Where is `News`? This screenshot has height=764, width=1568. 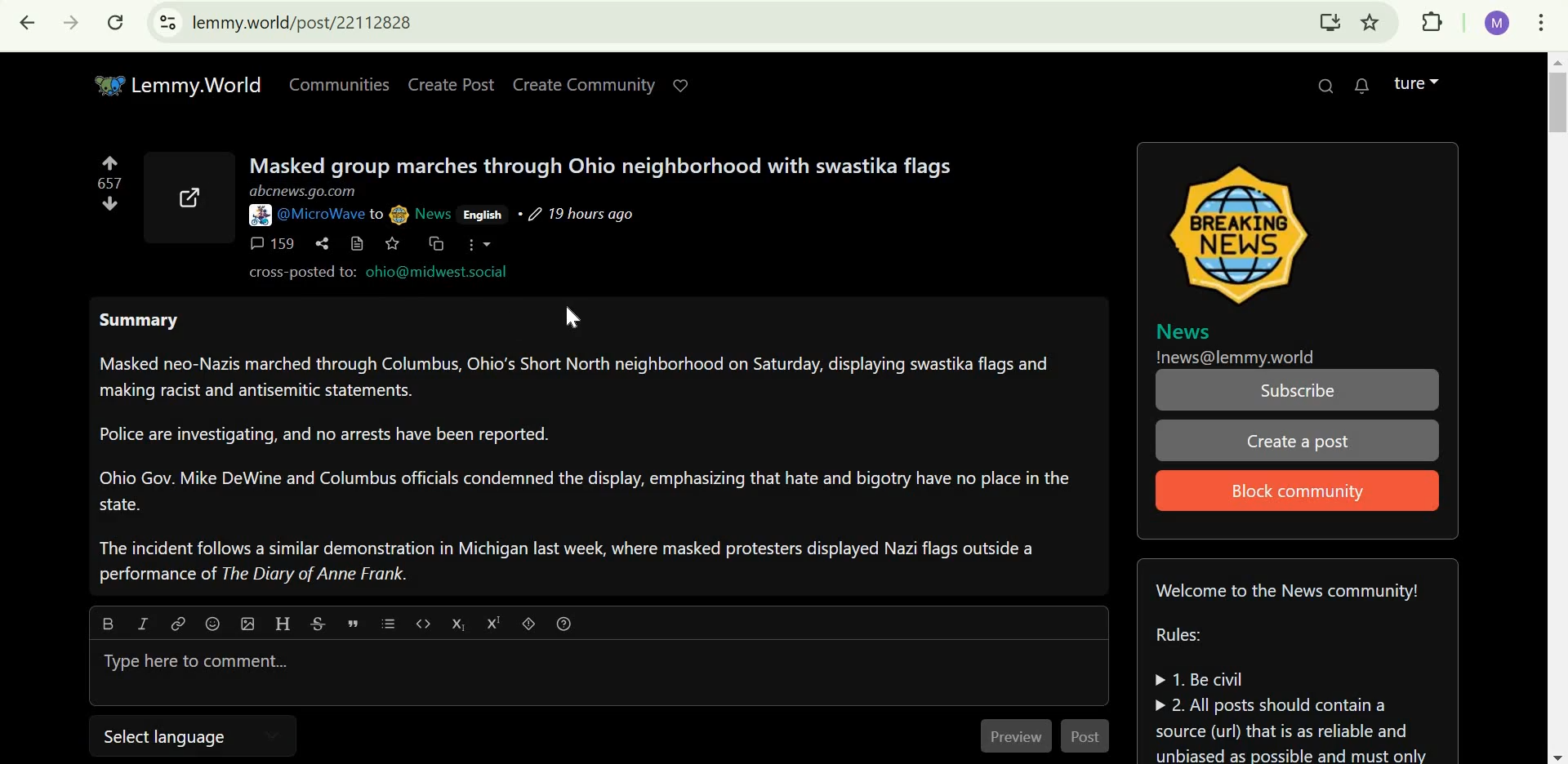
News is located at coordinates (1185, 330).